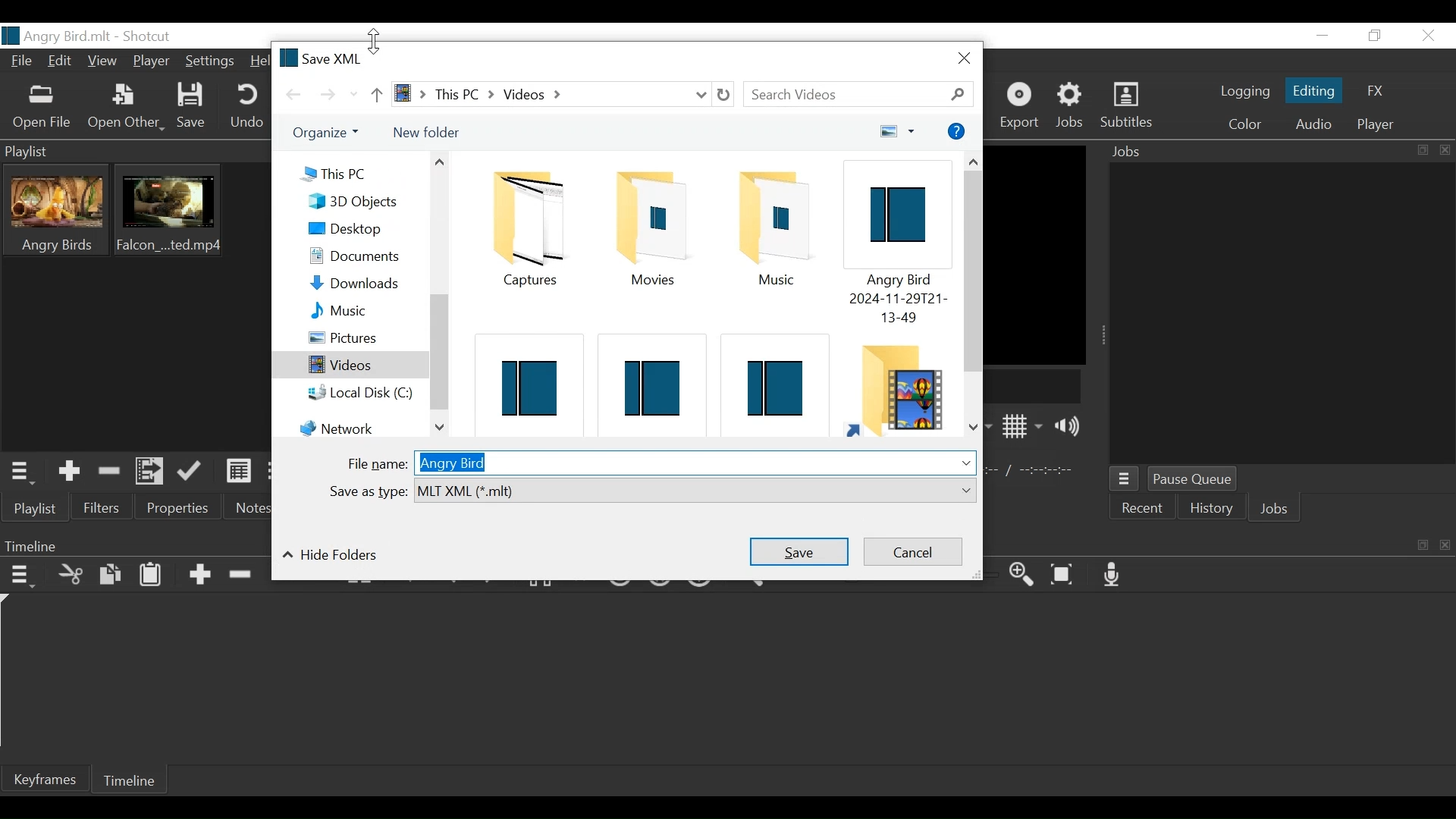 This screenshot has width=1456, height=819. I want to click on Toggle display grid on player, so click(1023, 426).